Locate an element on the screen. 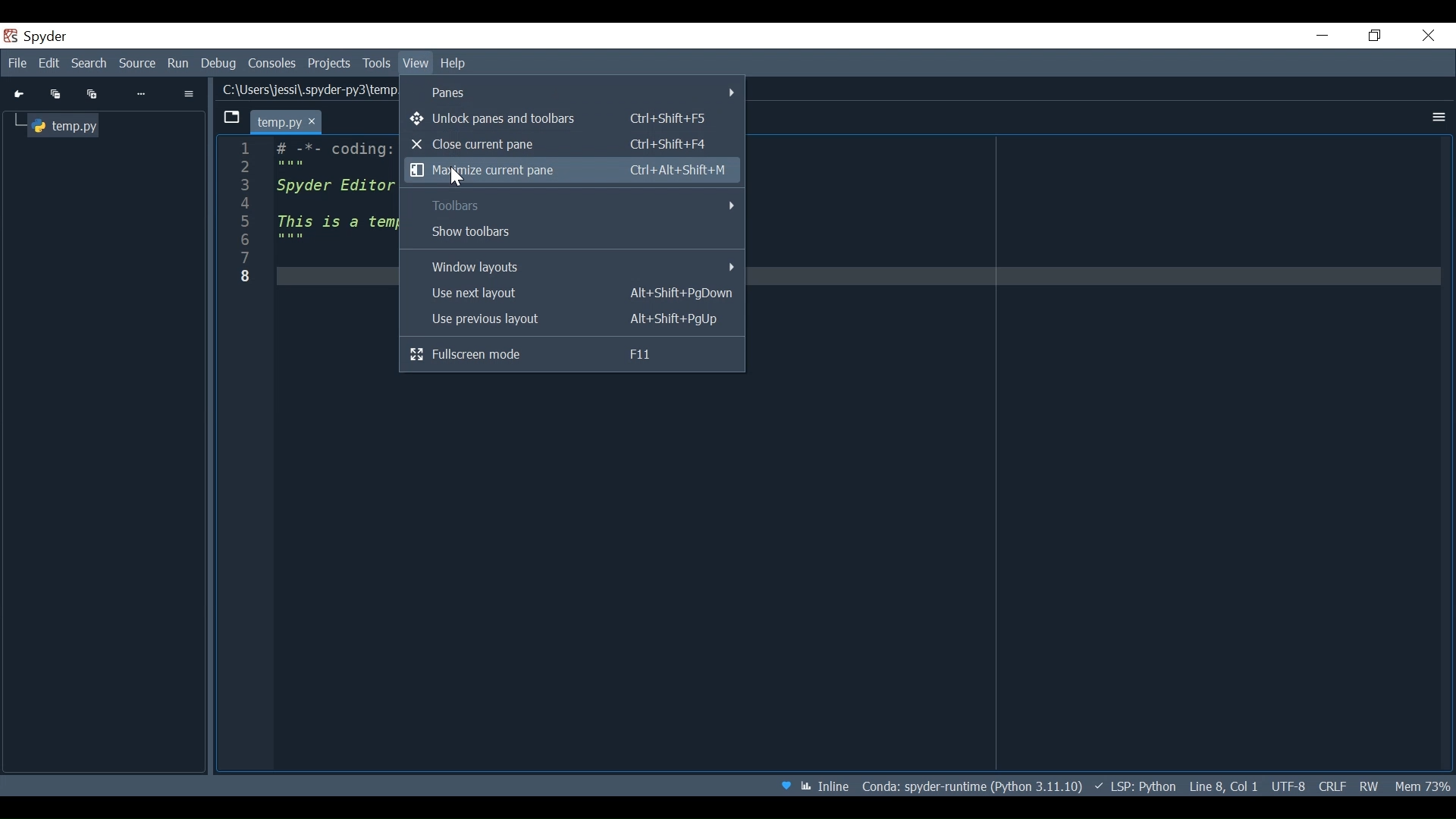 The height and width of the screenshot is (819, 1456). Edit is located at coordinates (51, 64).